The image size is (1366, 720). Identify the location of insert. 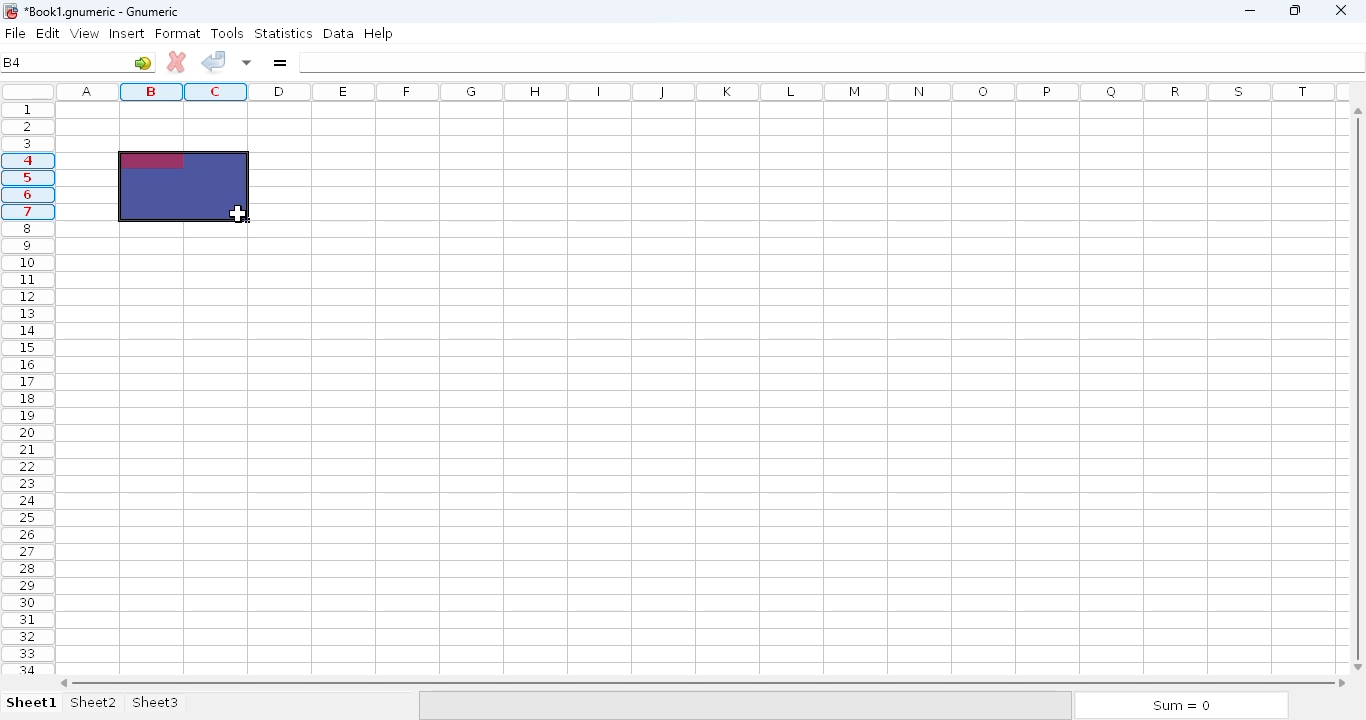
(126, 33).